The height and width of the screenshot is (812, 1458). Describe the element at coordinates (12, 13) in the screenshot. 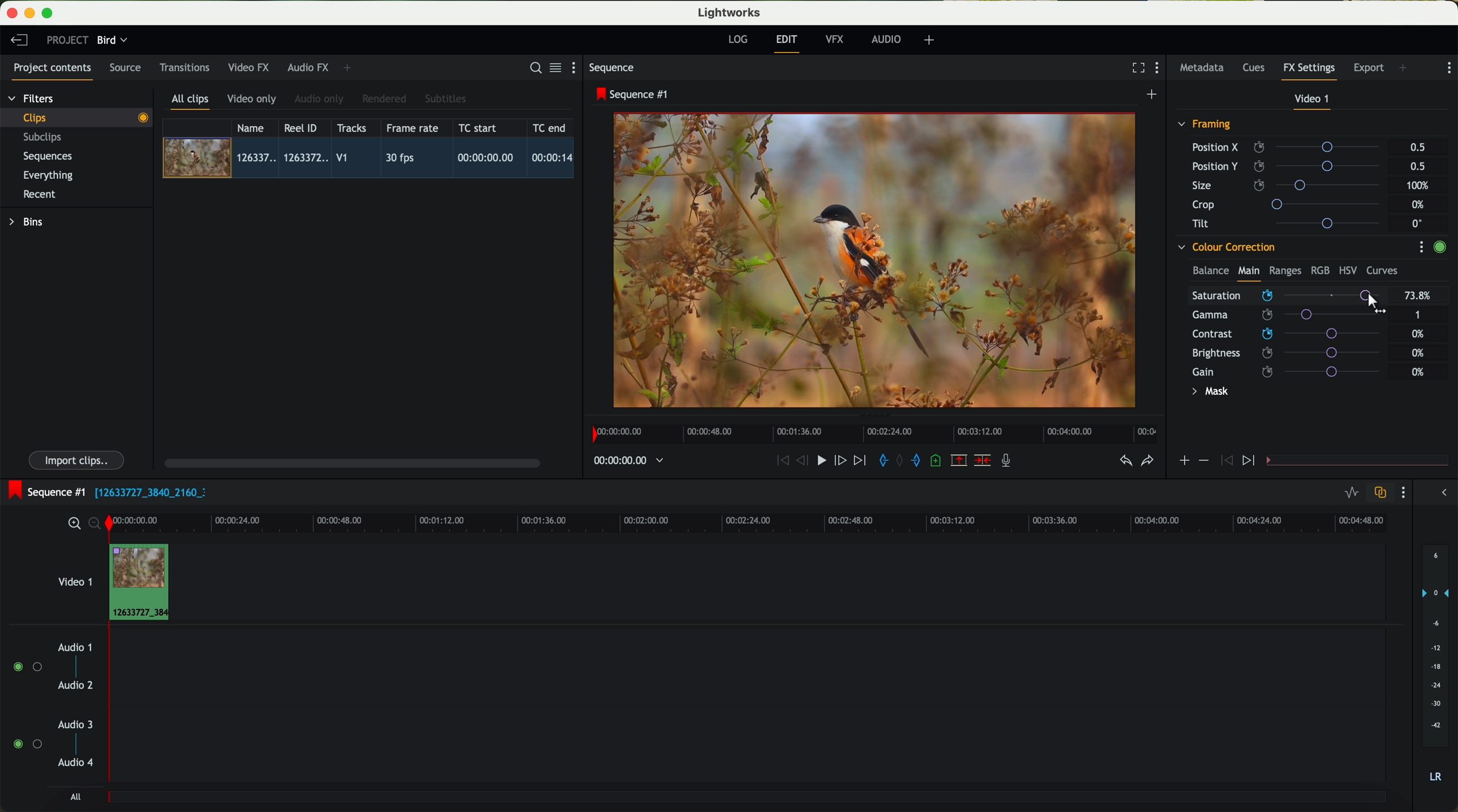

I see `close program` at that location.